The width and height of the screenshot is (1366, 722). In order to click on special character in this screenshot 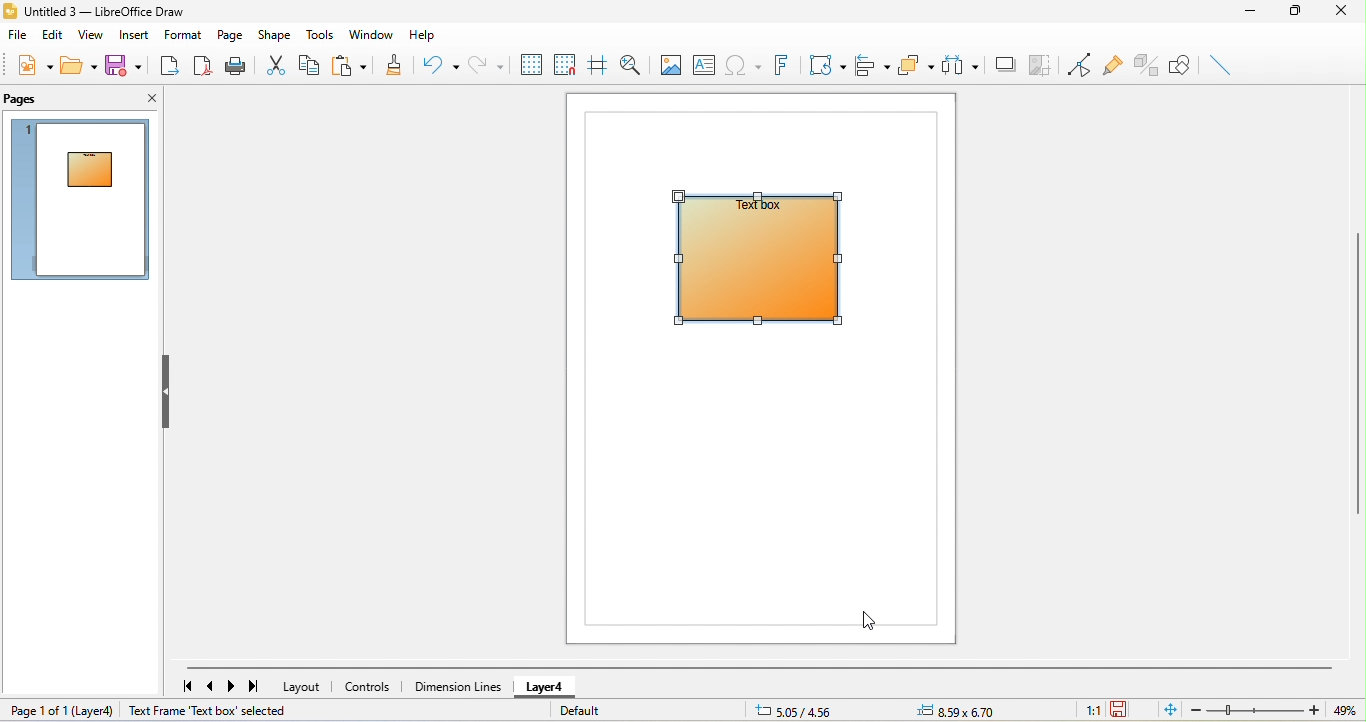, I will do `click(745, 65)`.